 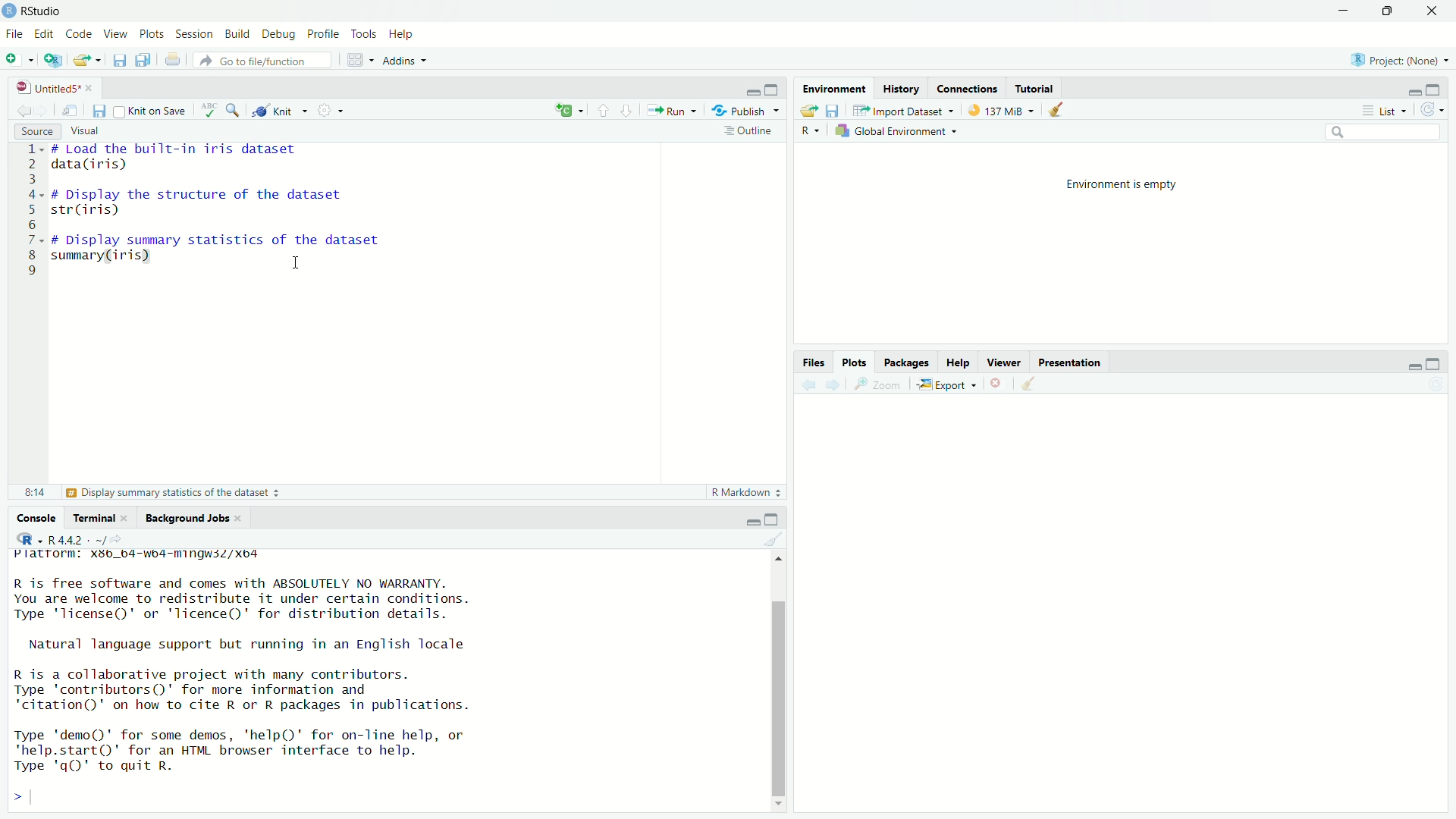 I want to click on Import Dataset, so click(x=903, y=109).